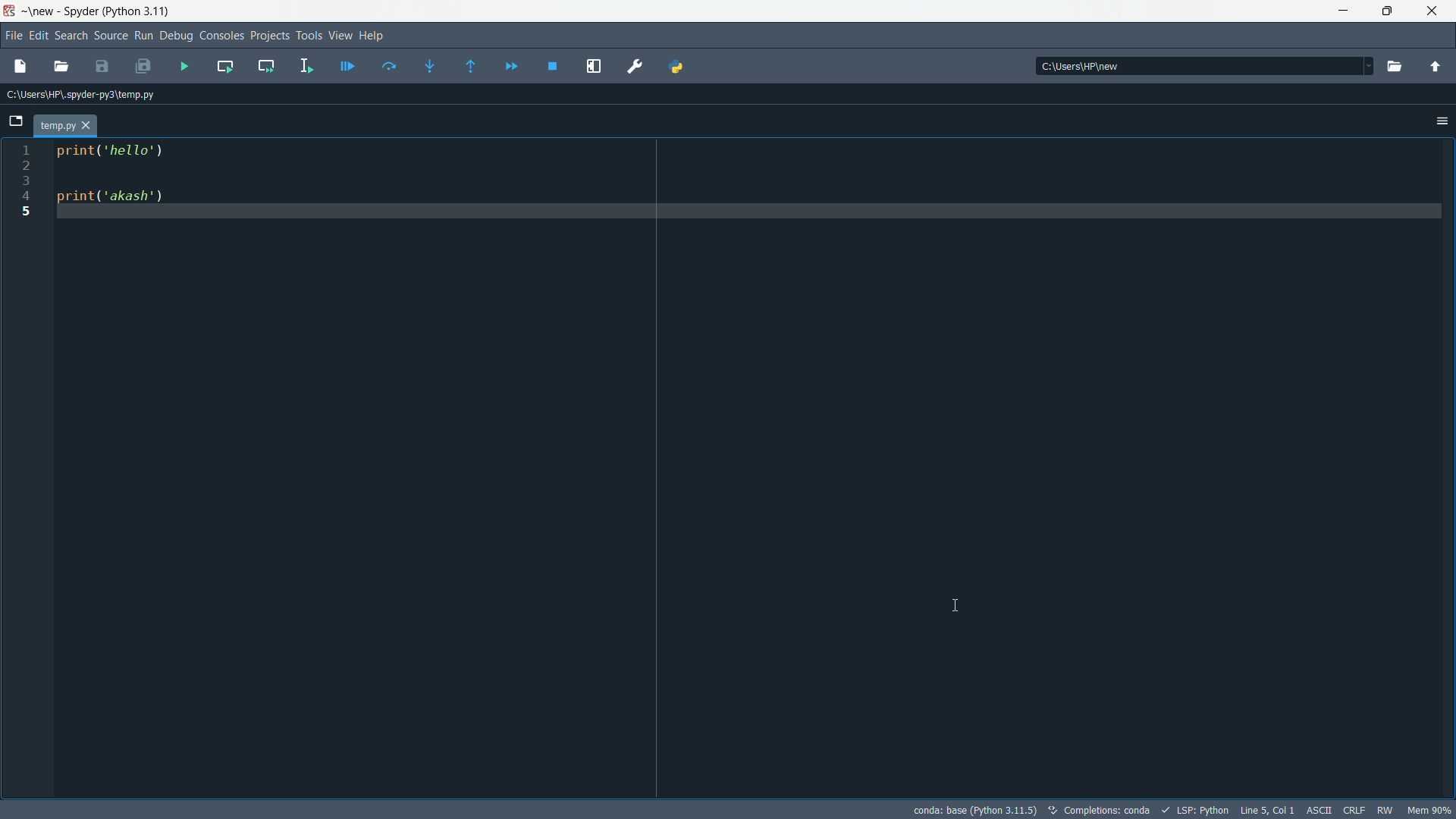 Image resolution: width=1456 pixels, height=819 pixels. I want to click on , so click(1074, 66).